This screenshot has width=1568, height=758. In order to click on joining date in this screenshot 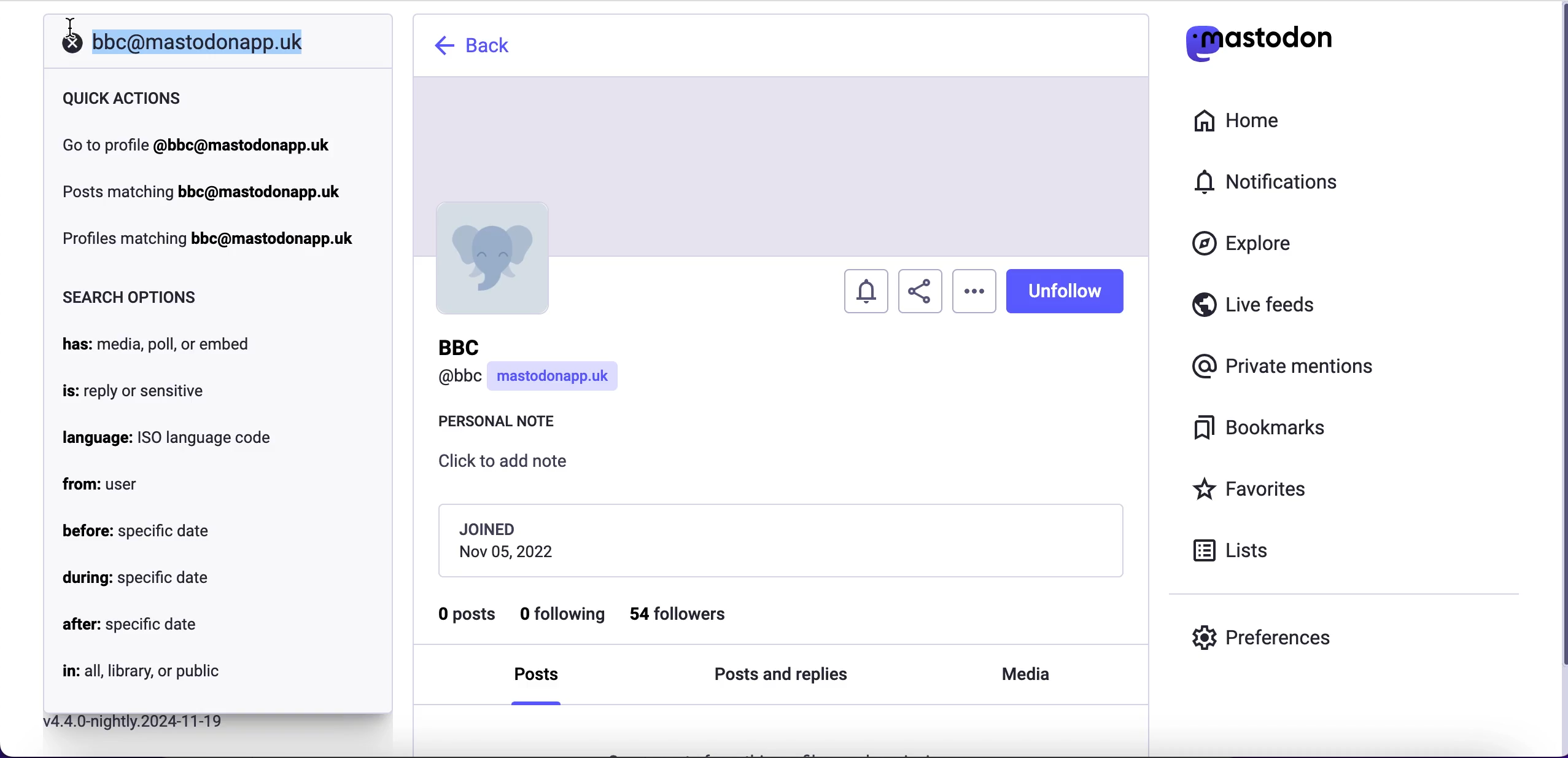, I will do `click(779, 539)`.